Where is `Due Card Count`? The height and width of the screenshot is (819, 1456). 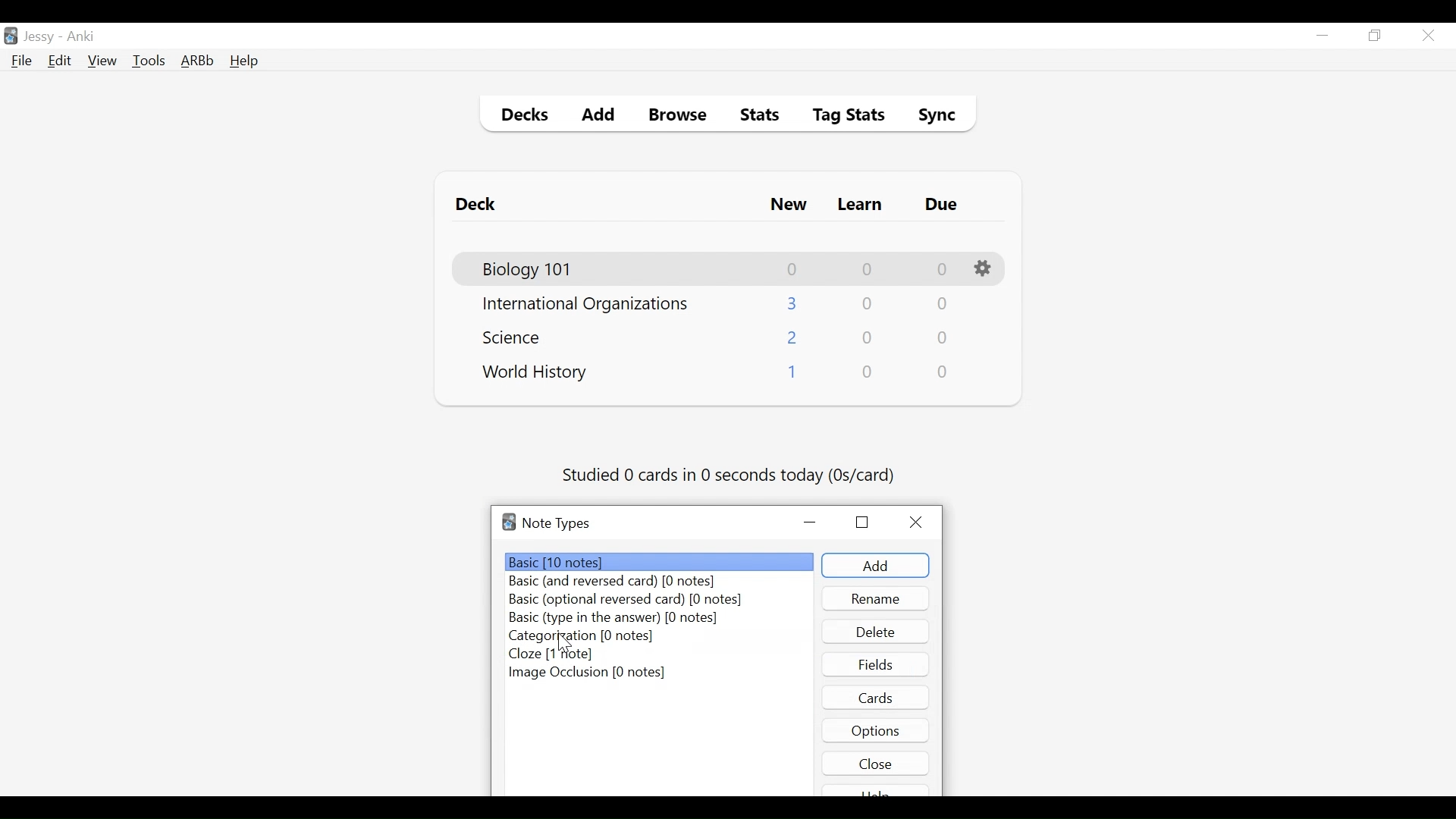 Due Card Count is located at coordinates (941, 306).